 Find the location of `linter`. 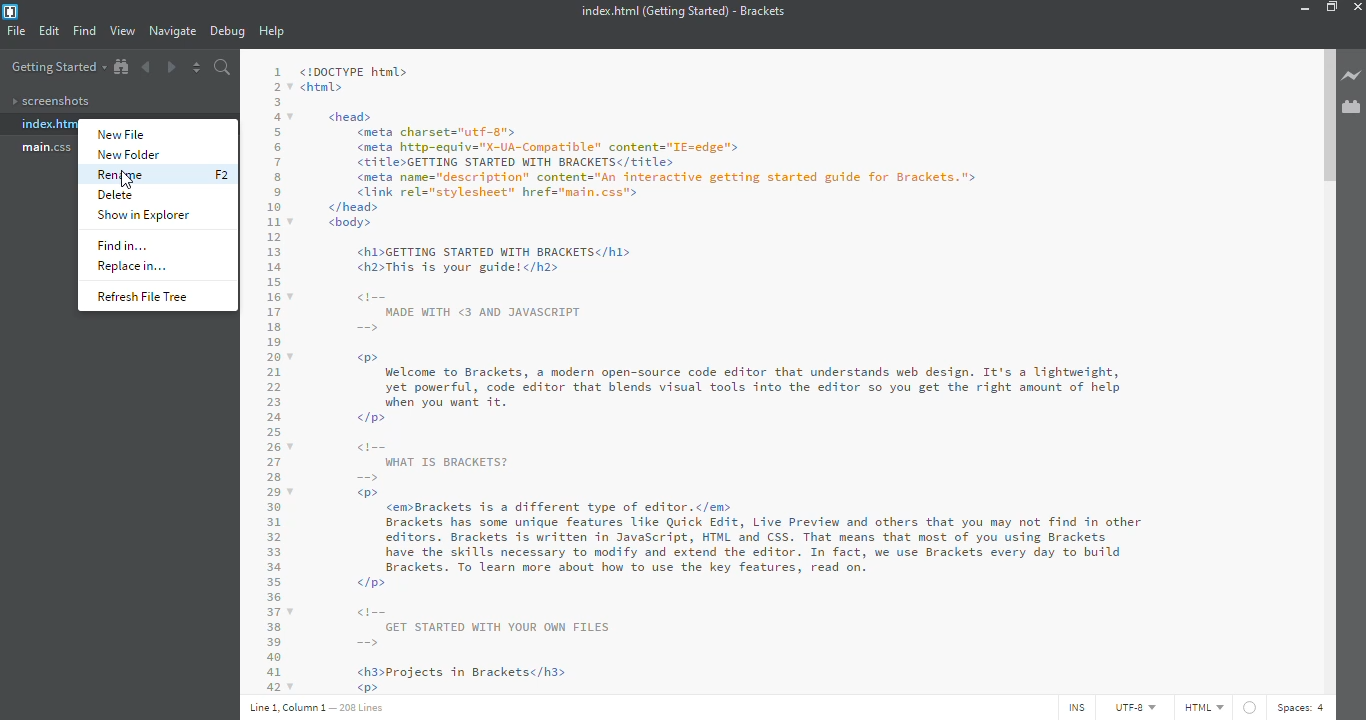

linter is located at coordinates (1249, 707).